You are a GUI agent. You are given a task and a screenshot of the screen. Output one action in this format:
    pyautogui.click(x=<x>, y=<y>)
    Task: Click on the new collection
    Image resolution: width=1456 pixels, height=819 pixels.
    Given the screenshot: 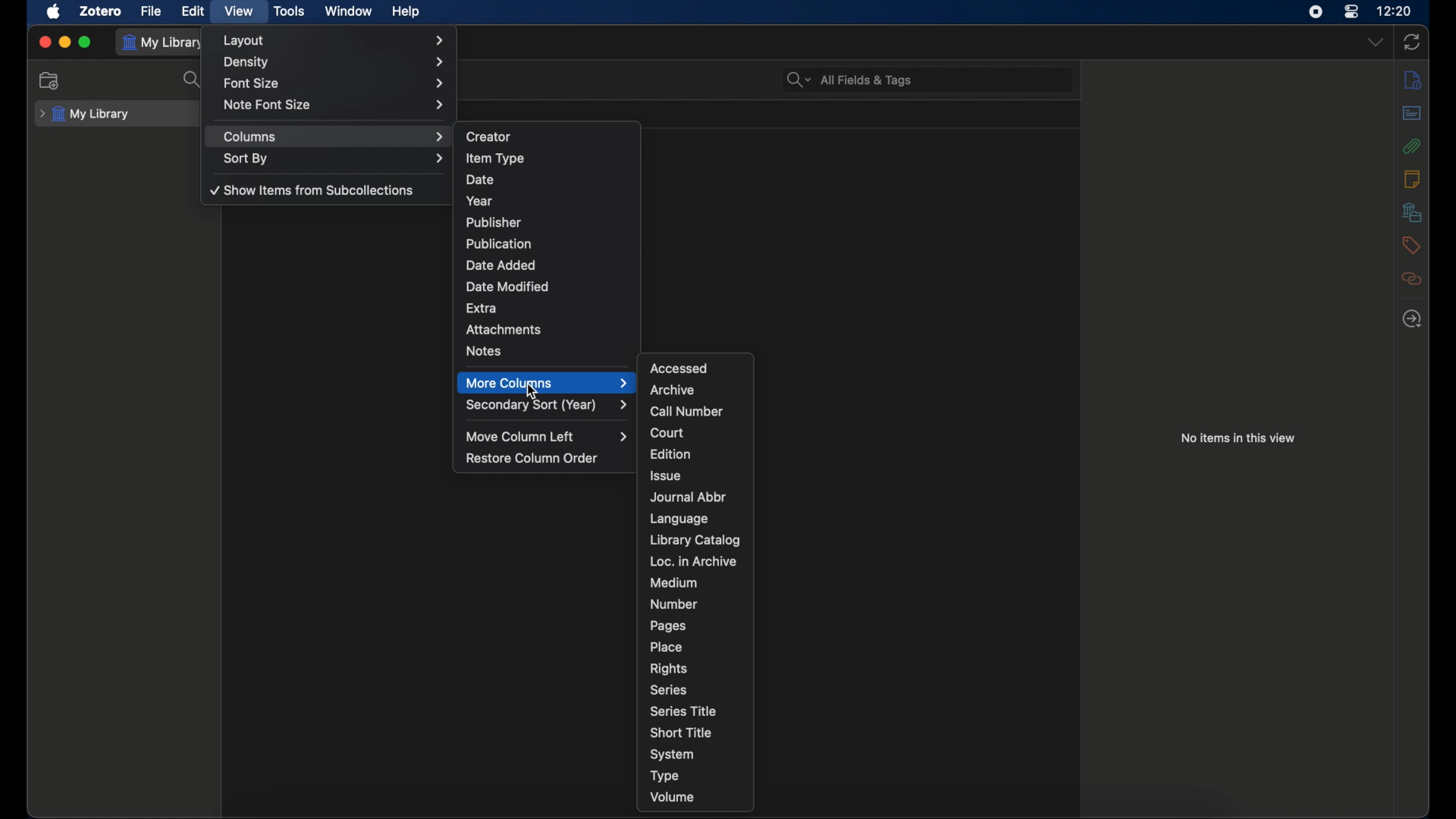 What is the action you would take?
    pyautogui.click(x=49, y=80)
    